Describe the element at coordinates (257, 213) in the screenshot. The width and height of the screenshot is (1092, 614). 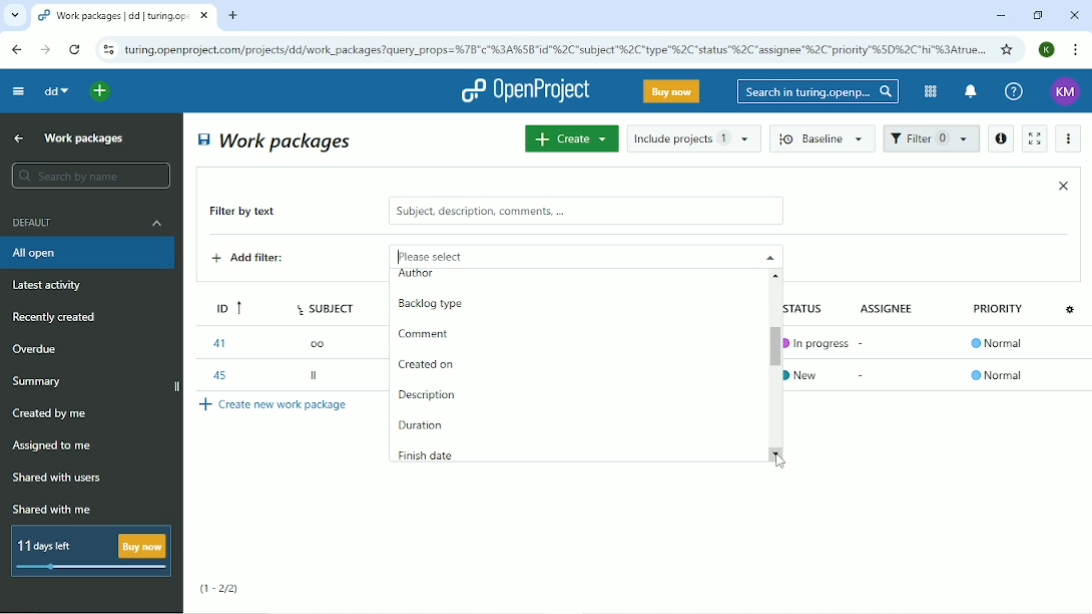
I see `Filter by text` at that location.